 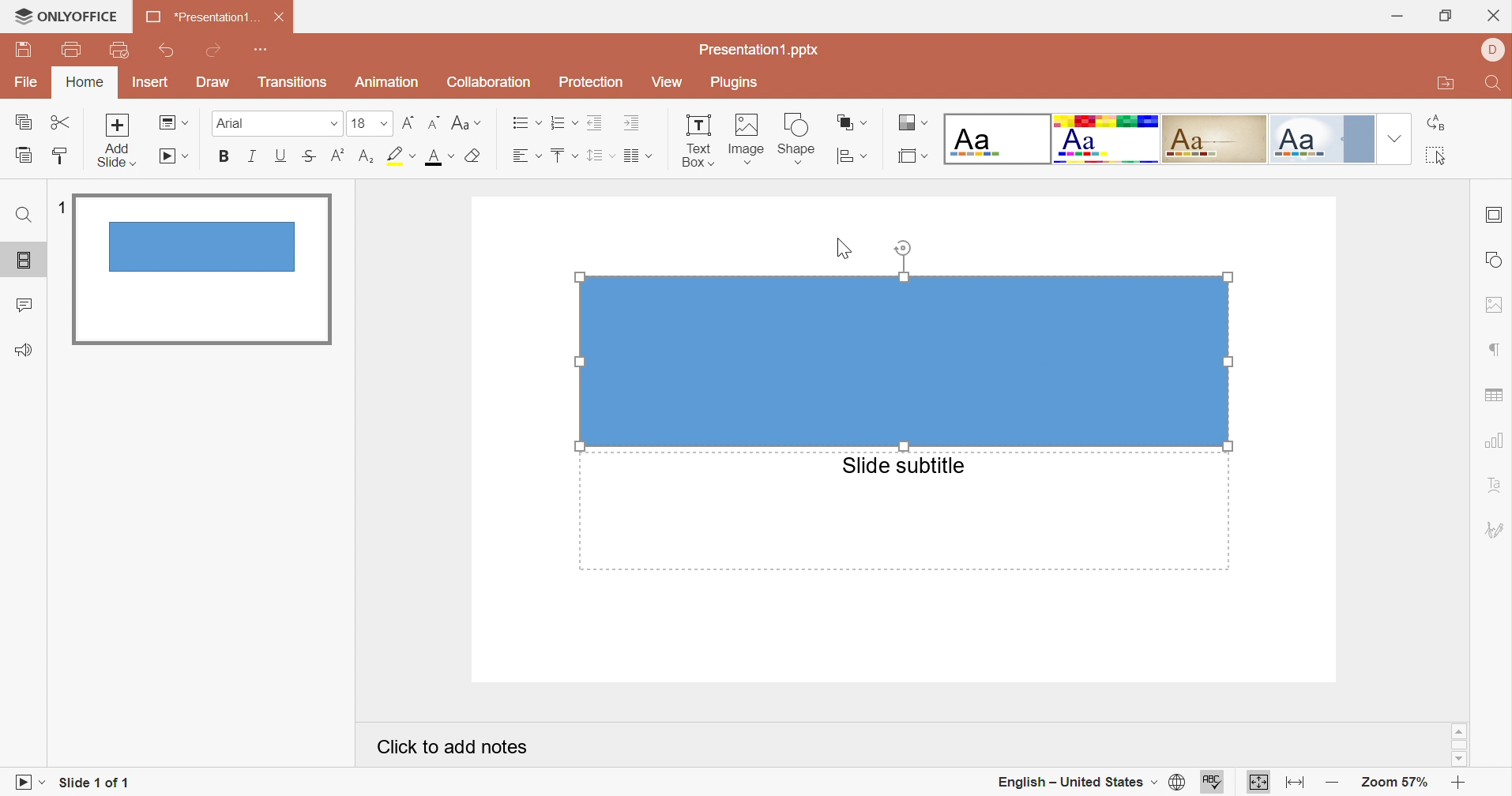 What do you see at coordinates (433, 123) in the screenshot?
I see `Decrement font size` at bounding box center [433, 123].